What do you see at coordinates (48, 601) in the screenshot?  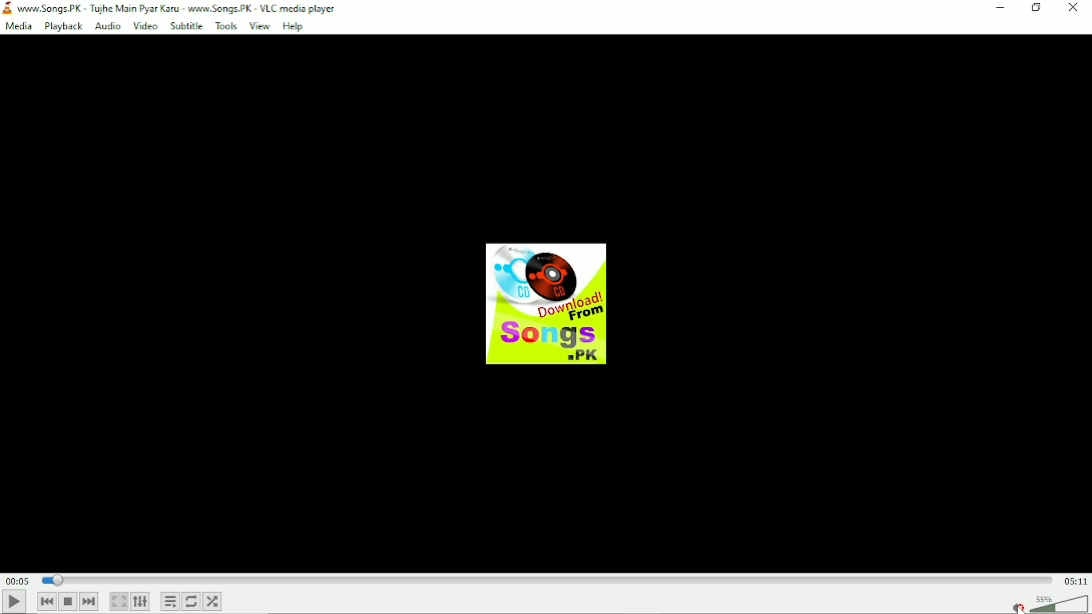 I see `Previous` at bounding box center [48, 601].